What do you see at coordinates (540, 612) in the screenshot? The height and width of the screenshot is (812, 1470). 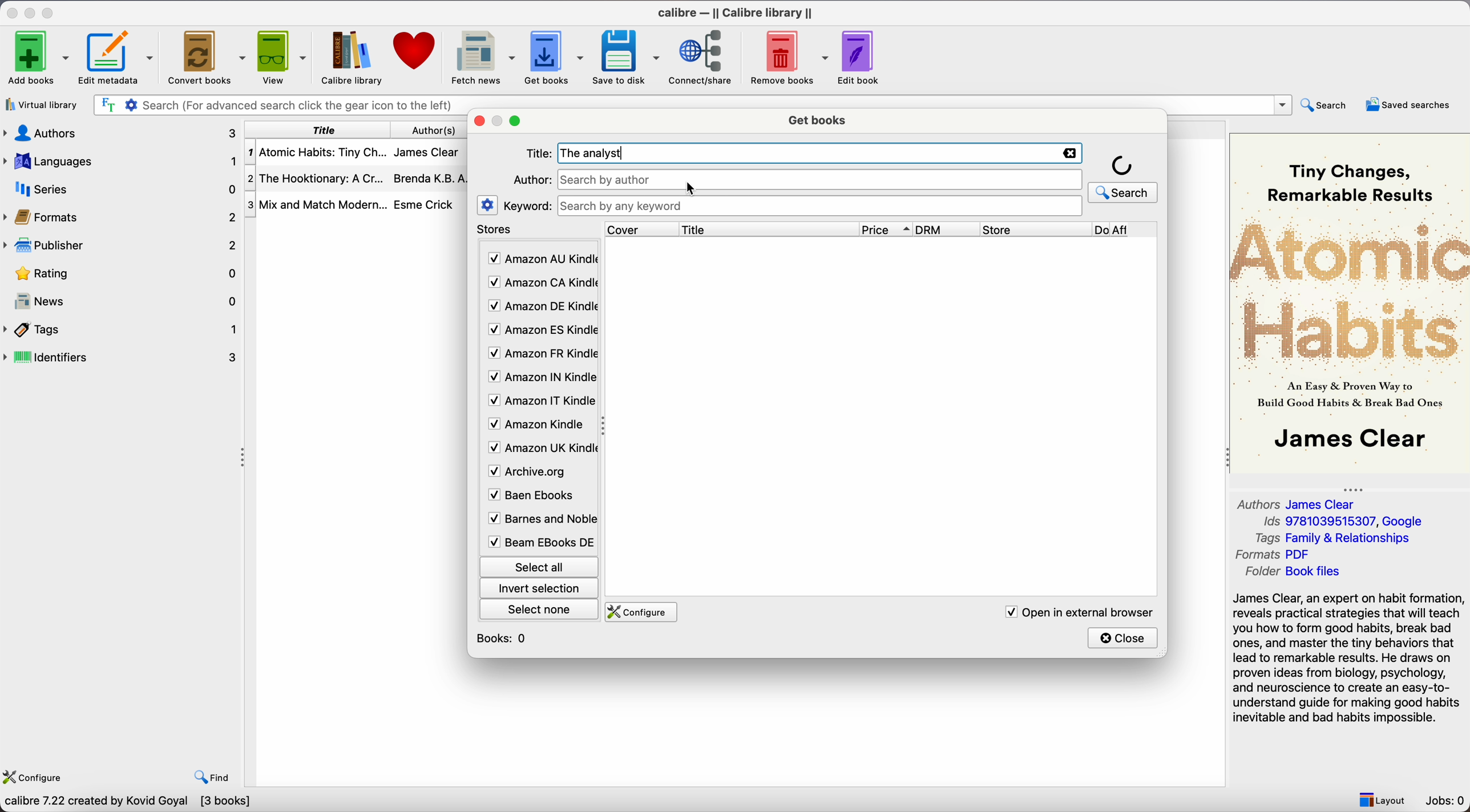 I see `select none` at bounding box center [540, 612].